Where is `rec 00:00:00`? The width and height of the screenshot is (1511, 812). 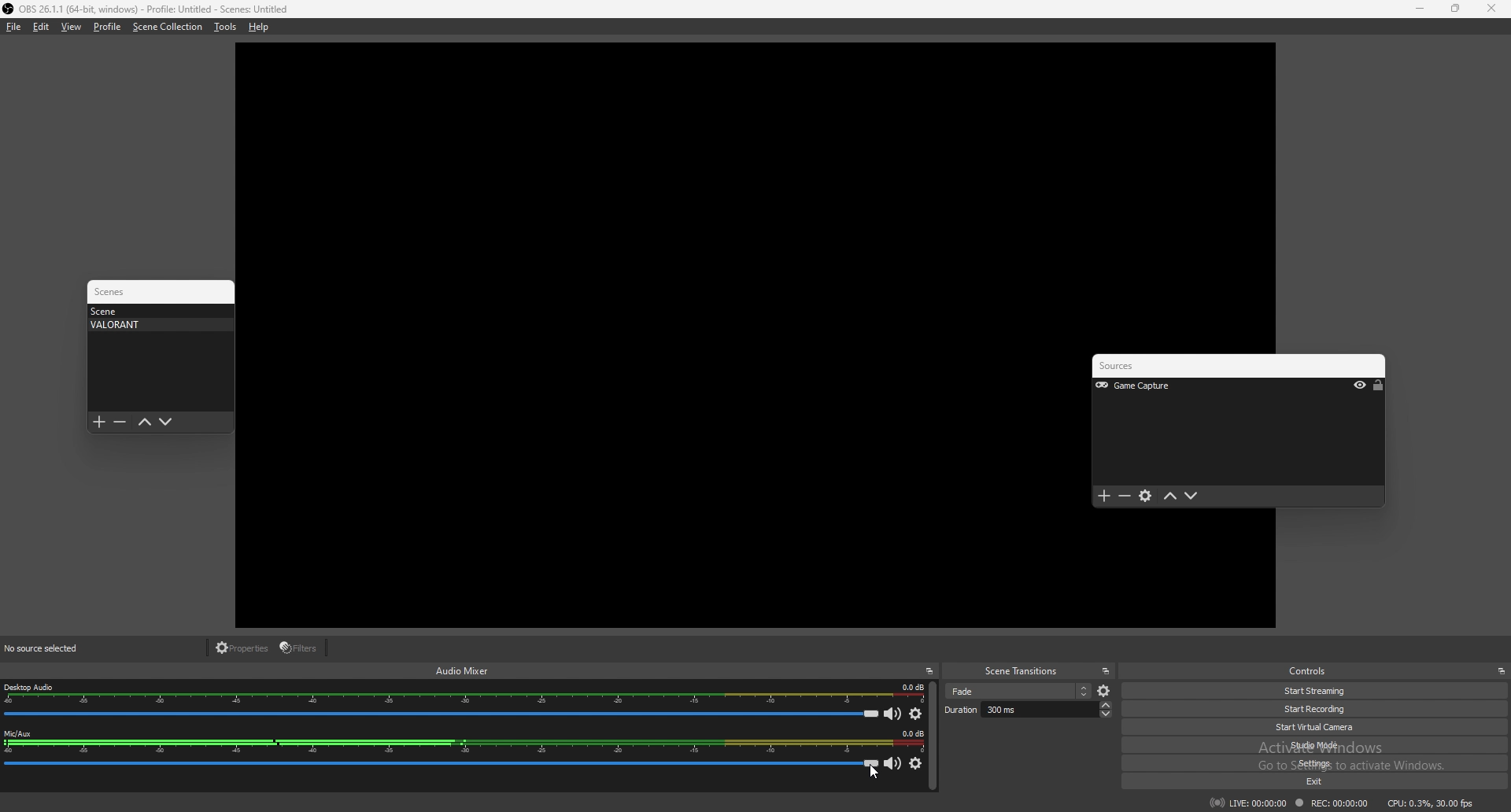 rec 00:00:00 is located at coordinates (1330, 804).